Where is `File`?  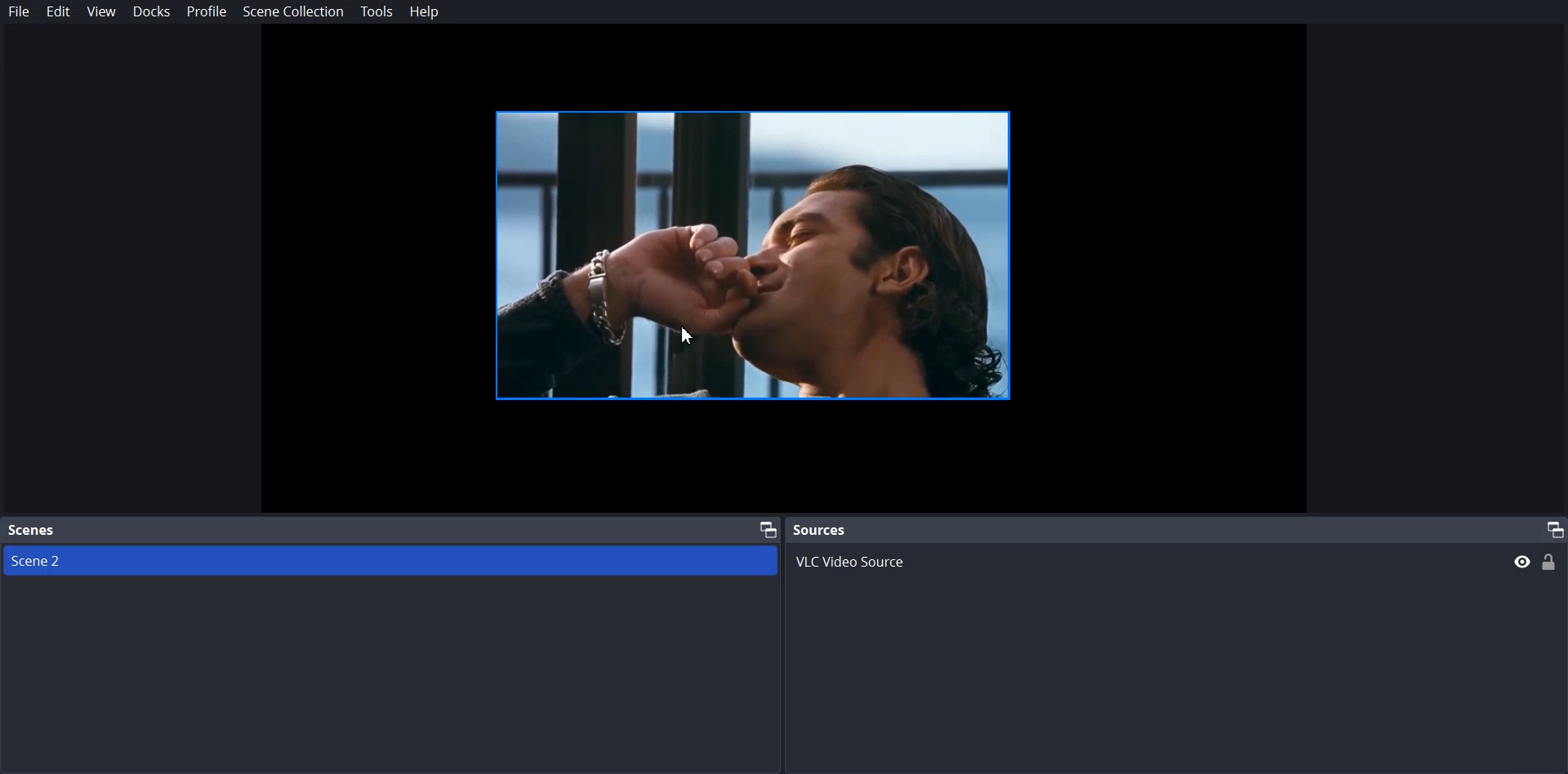 File is located at coordinates (18, 12).